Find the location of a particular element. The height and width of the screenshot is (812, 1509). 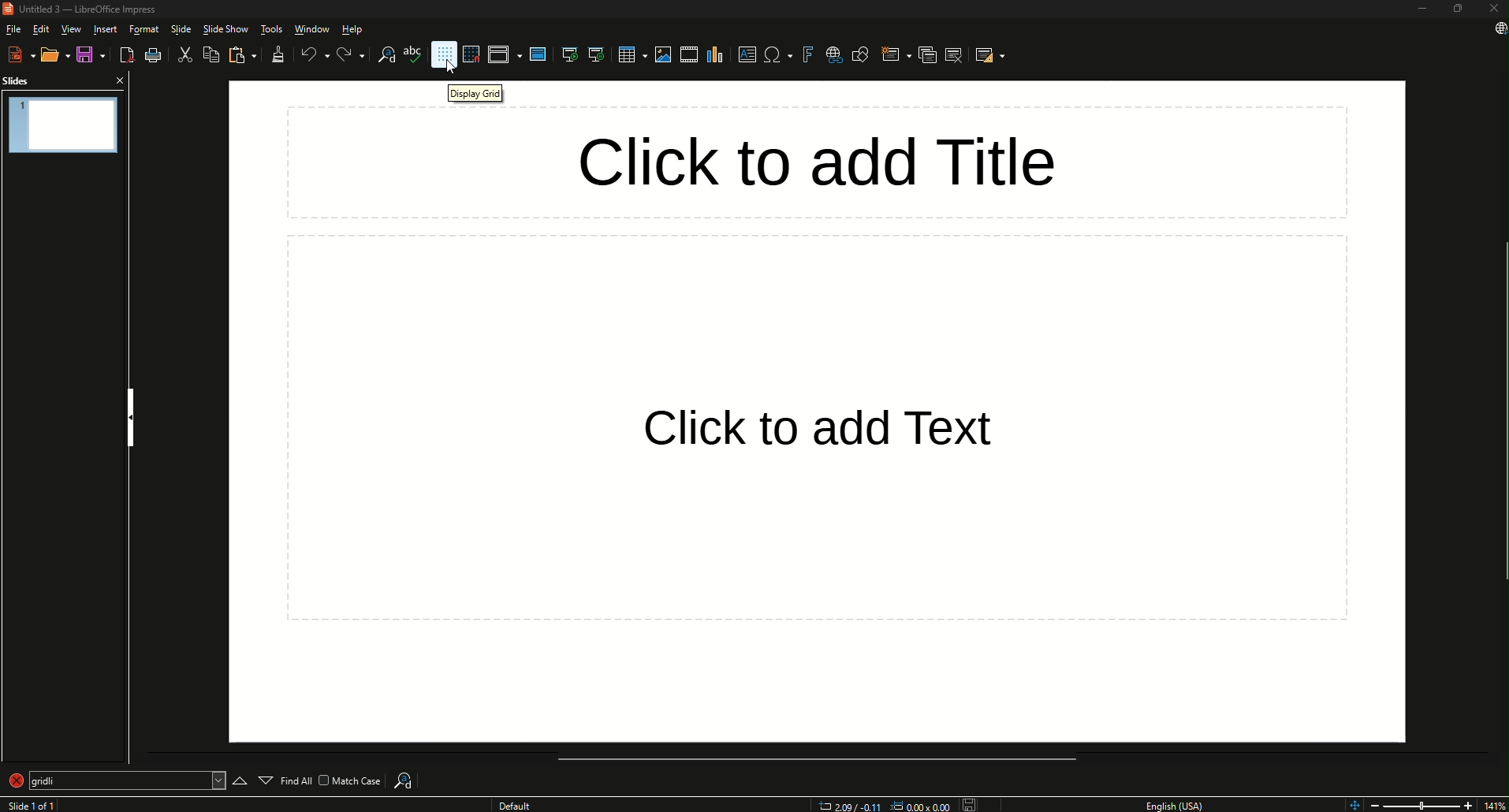

Redo is located at coordinates (345, 56).